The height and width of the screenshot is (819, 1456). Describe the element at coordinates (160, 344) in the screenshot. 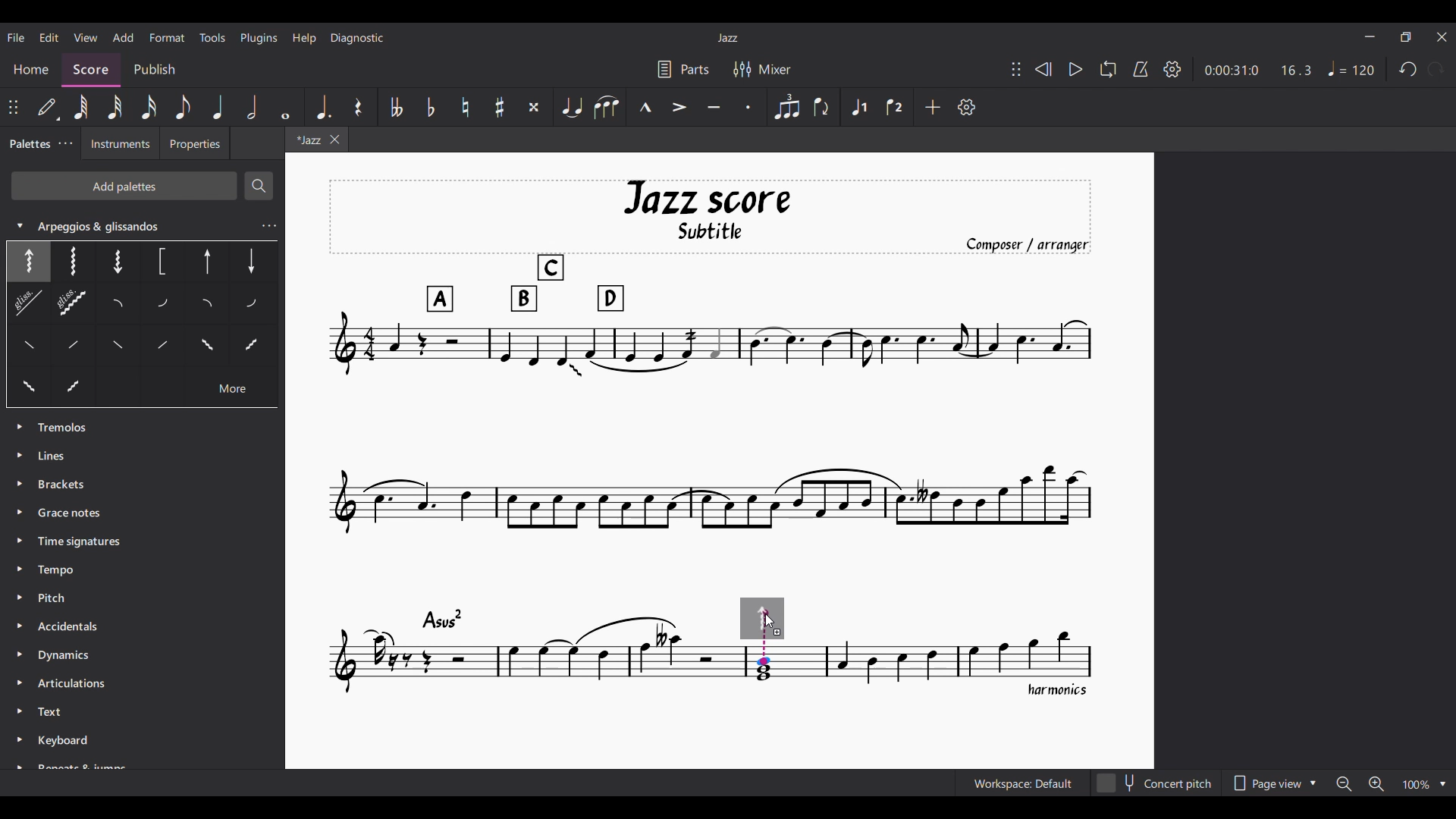

I see `` at that location.